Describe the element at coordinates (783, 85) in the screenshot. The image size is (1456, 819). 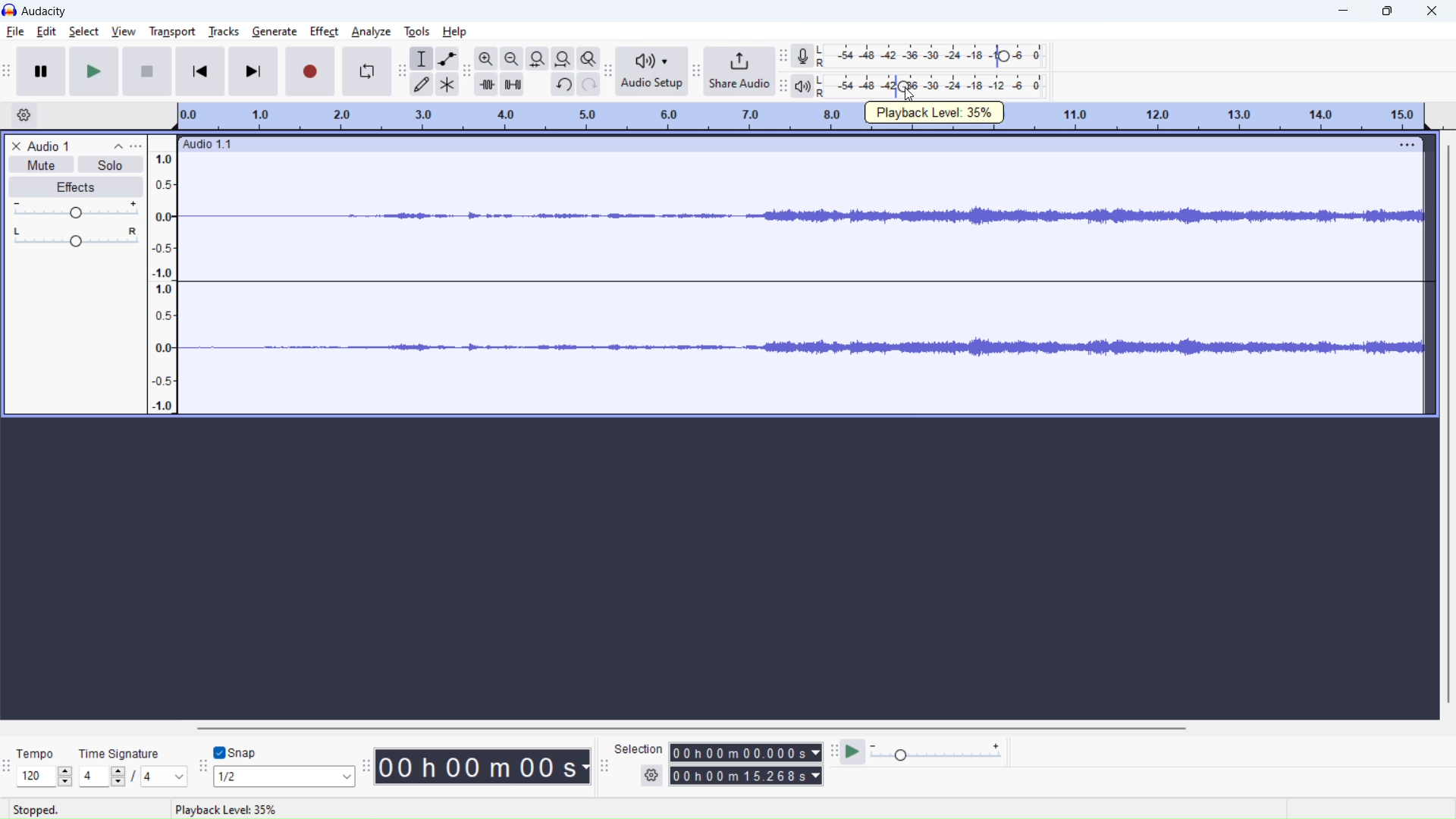
I see `playback meter toolbar` at that location.